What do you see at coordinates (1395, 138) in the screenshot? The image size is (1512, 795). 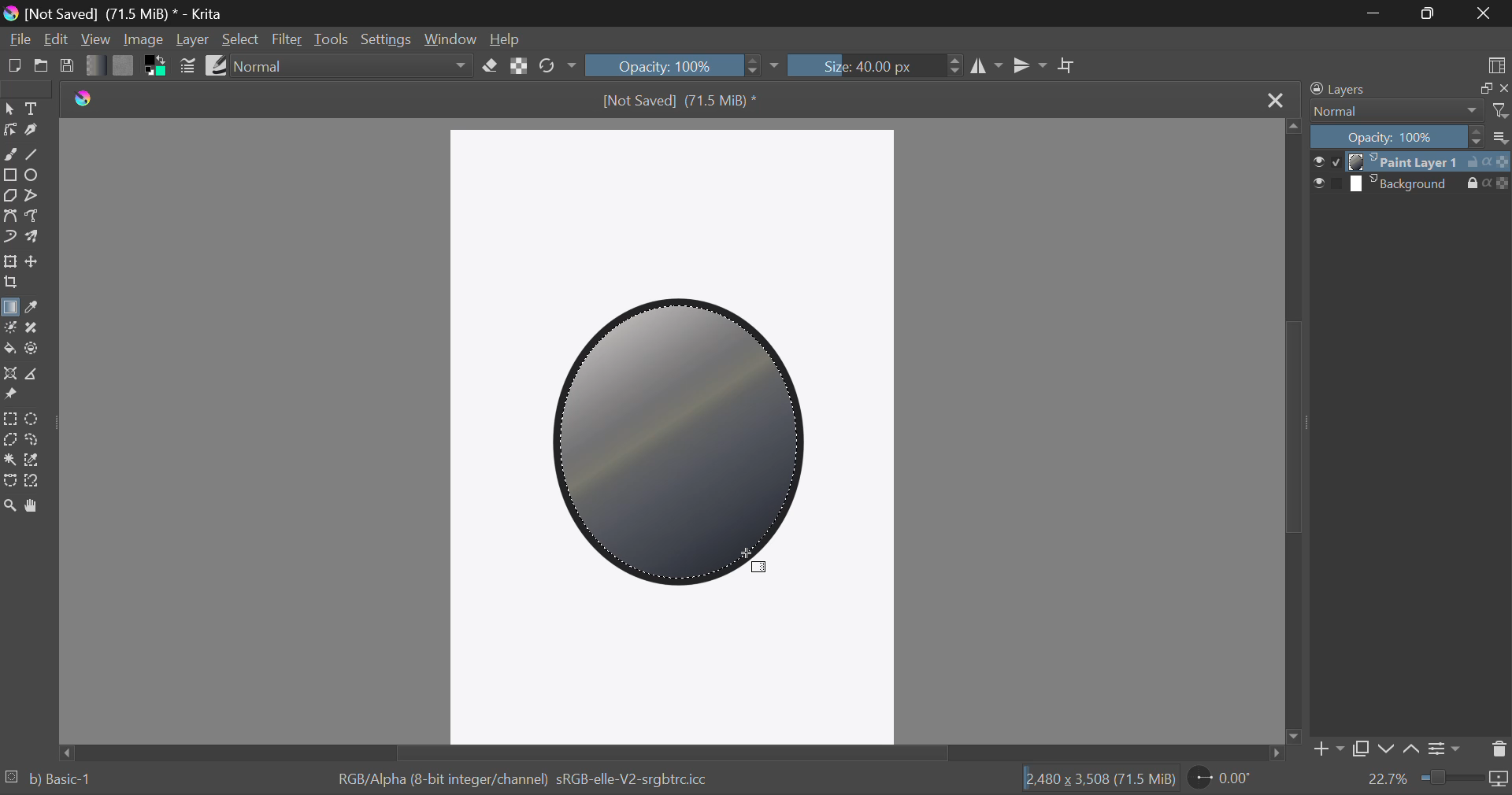 I see `Opacity` at bounding box center [1395, 138].